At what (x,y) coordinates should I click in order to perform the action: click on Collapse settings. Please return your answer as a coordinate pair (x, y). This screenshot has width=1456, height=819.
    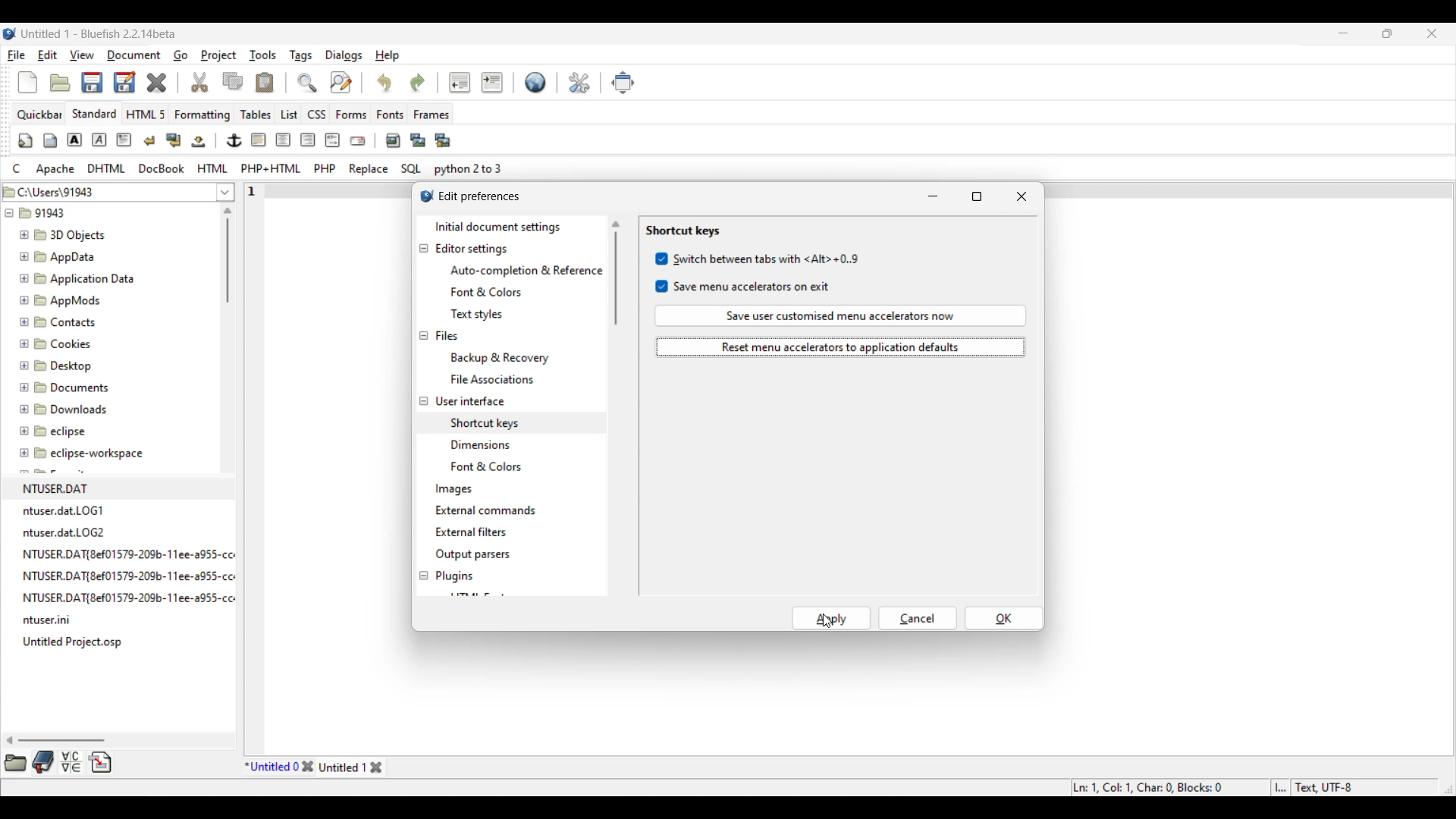
    Looking at the image, I should click on (423, 413).